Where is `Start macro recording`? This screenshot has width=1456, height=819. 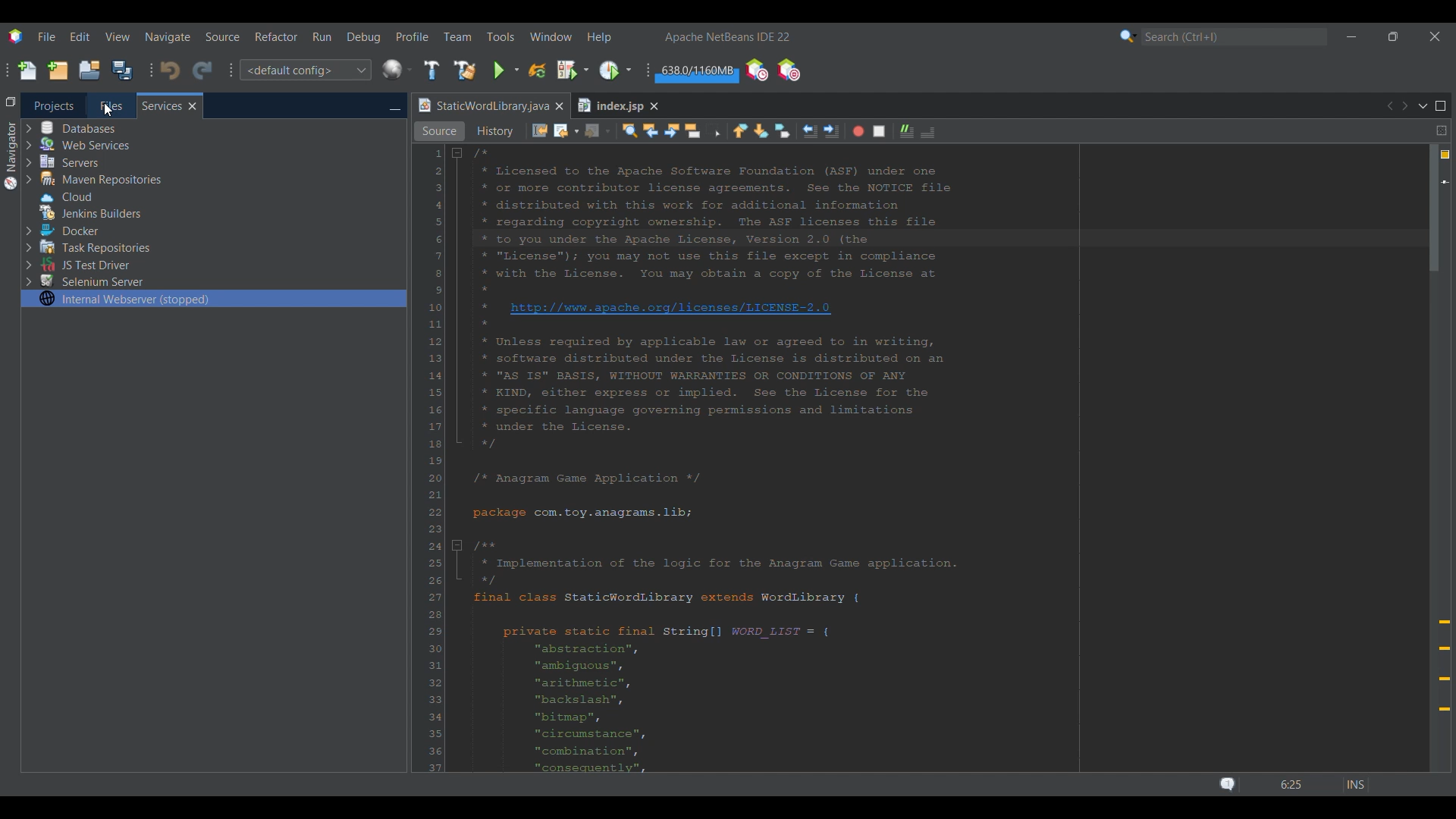
Start macro recording is located at coordinates (858, 132).